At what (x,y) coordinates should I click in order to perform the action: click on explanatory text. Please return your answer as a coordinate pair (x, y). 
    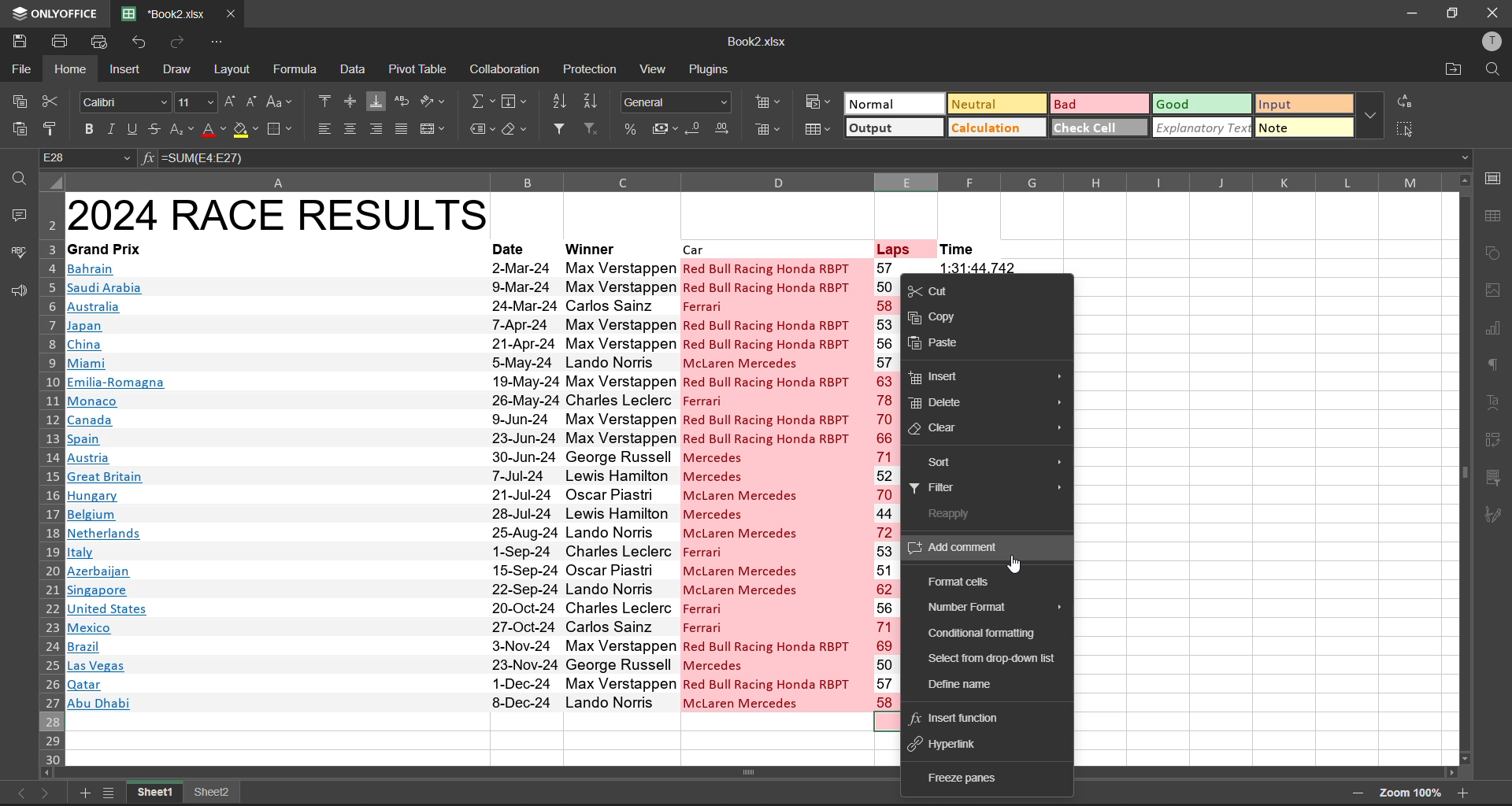
    Looking at the image, I should click on (1202, 128).